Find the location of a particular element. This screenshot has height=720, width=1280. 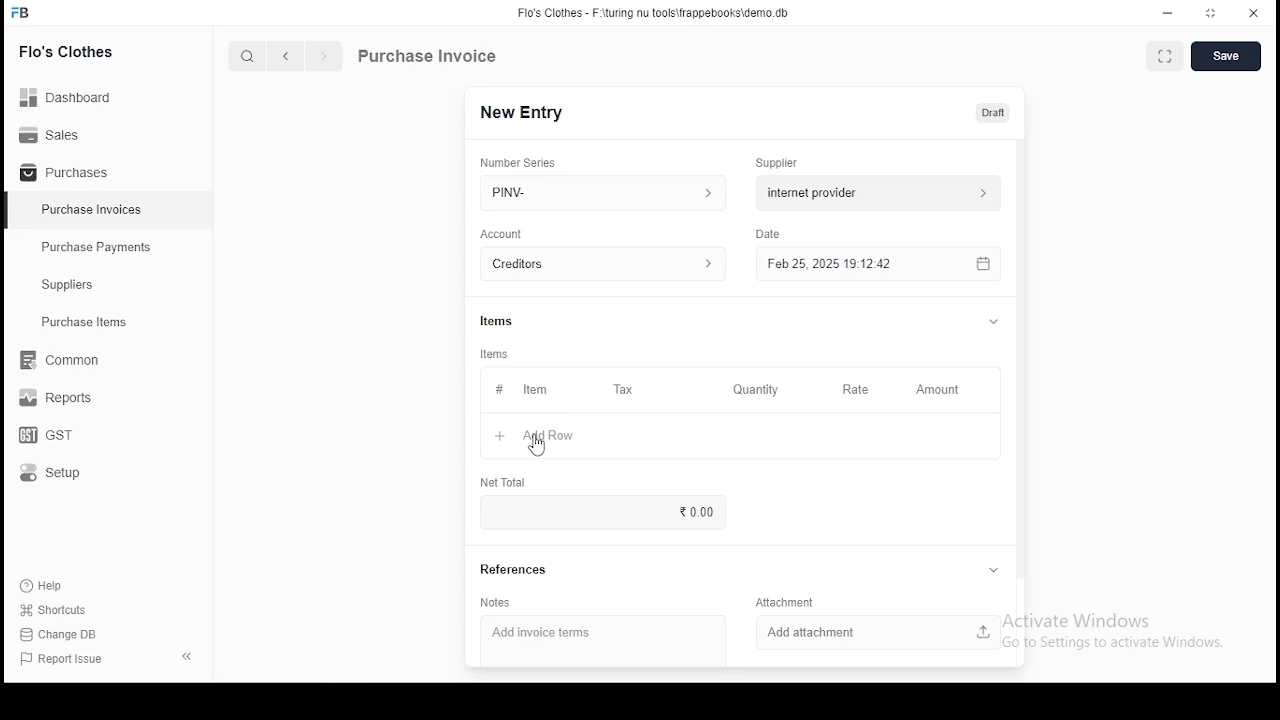

feb 25, 2025 19:12:42 is located at coordinates (877, 264).